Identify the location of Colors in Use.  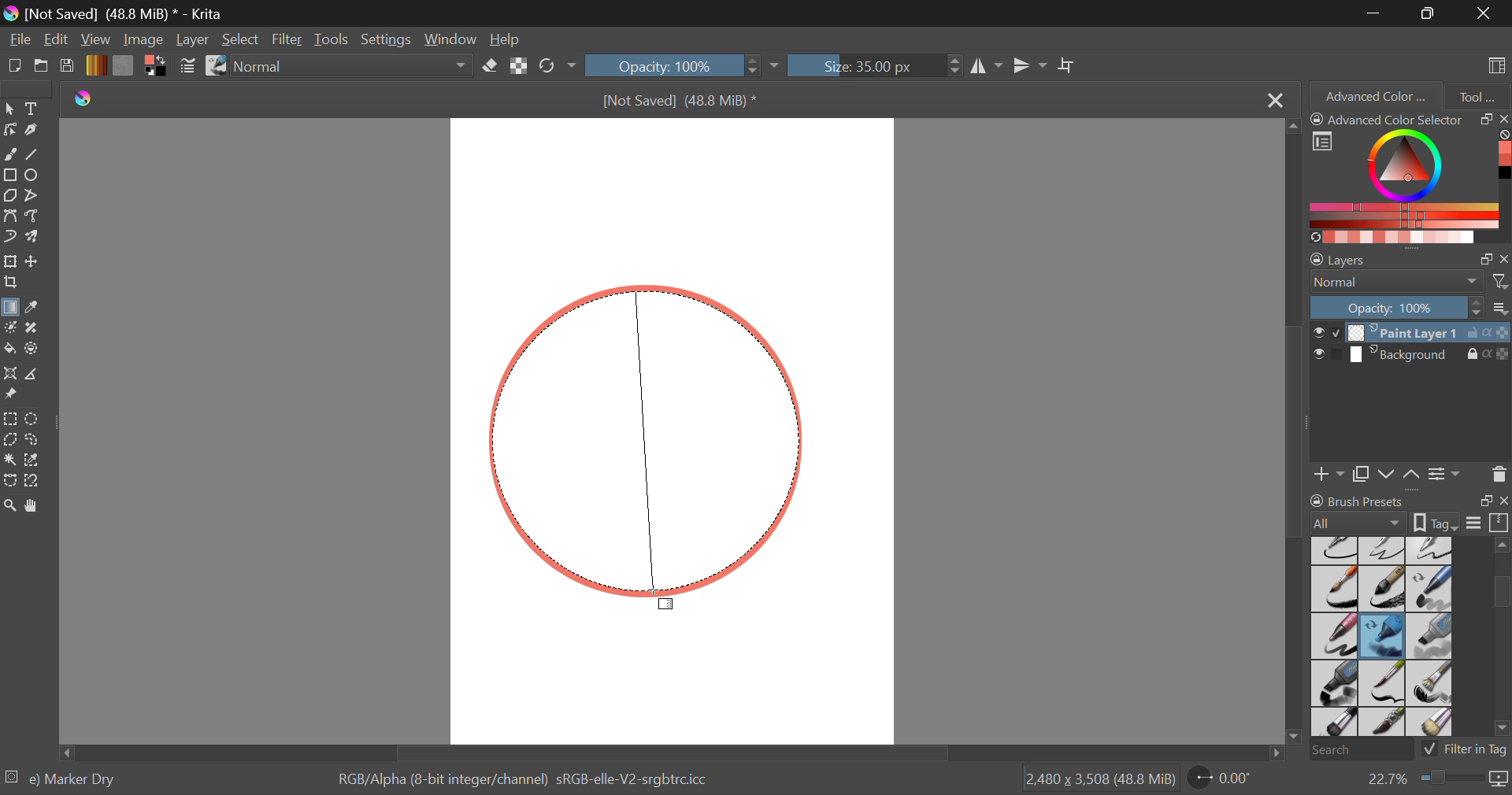
(154, 66).